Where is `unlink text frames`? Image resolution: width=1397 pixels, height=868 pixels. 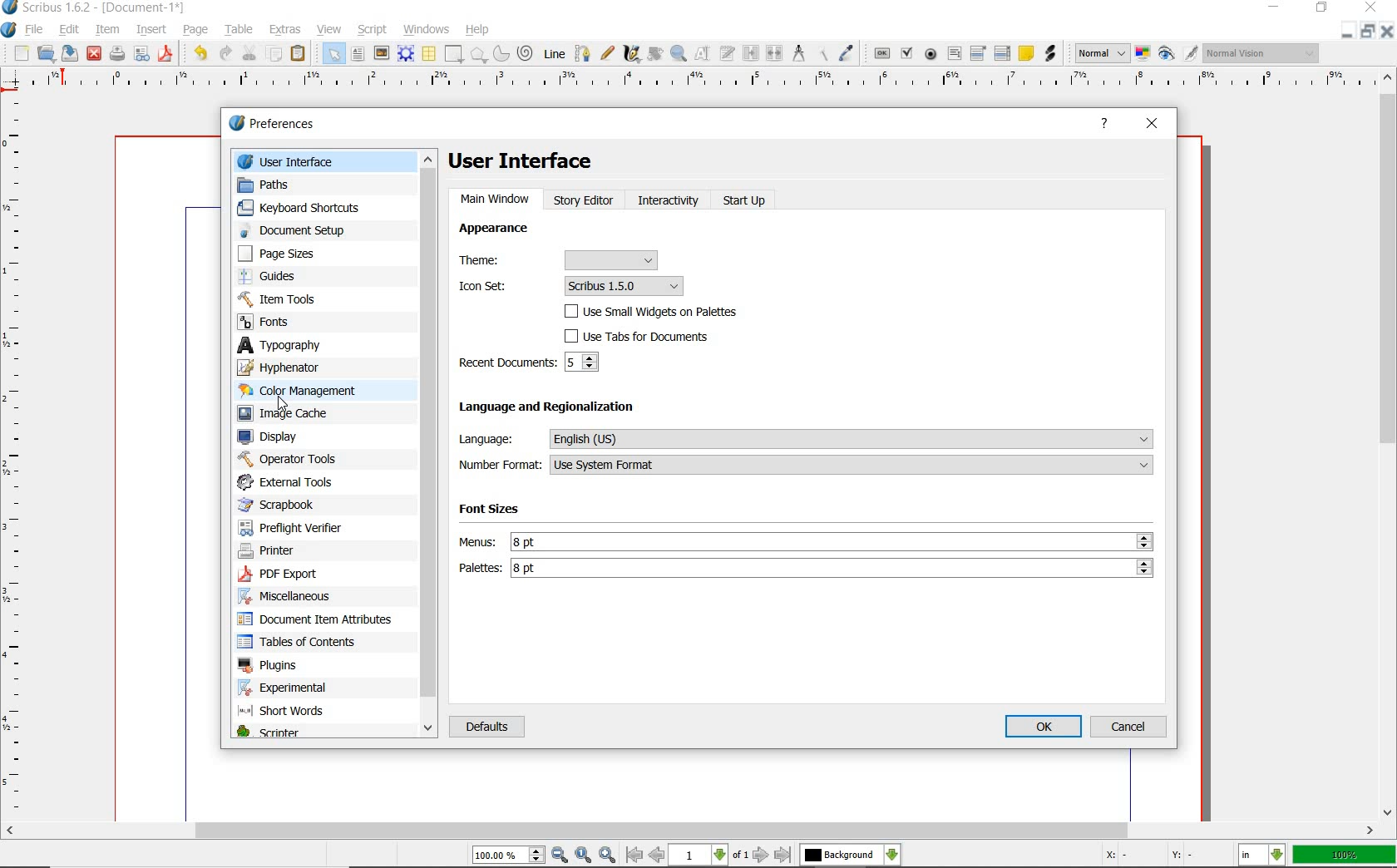
unlink text frames is located at coordinates (773, 55).